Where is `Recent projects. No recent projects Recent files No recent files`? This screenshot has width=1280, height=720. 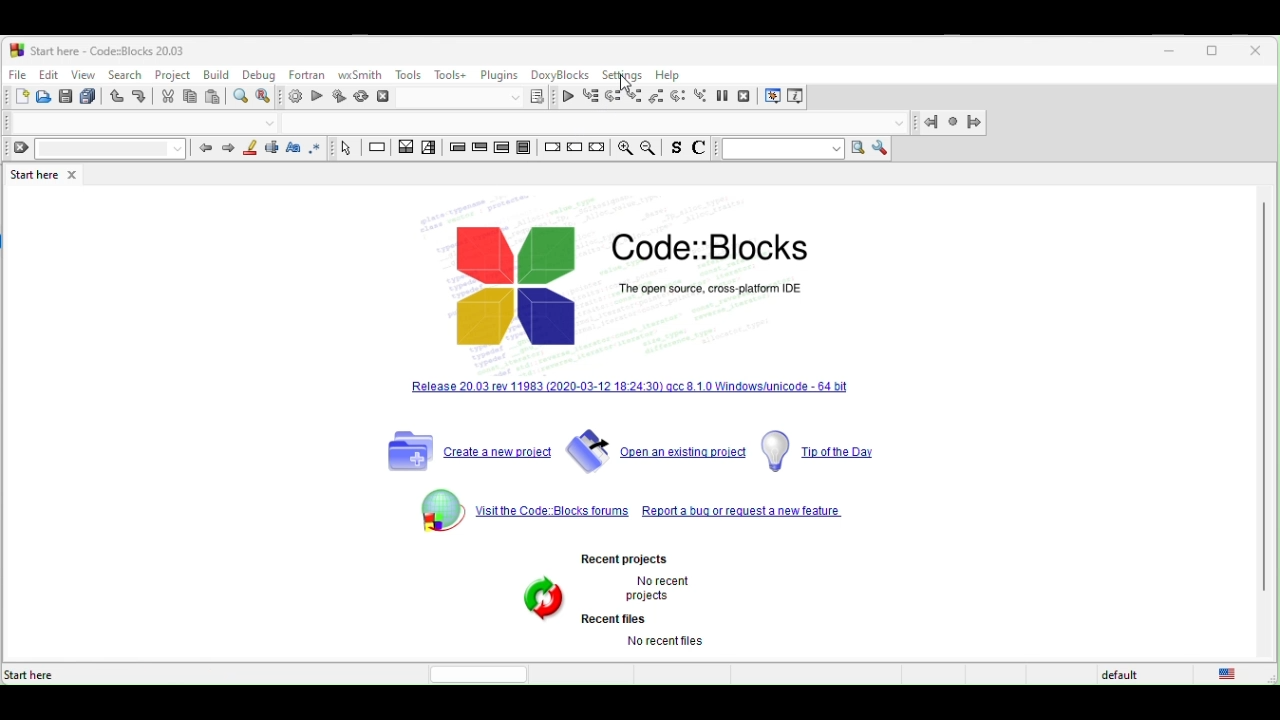 Recent projects. No recent projects Recent files No recent files is located at coordinates (617, 600).